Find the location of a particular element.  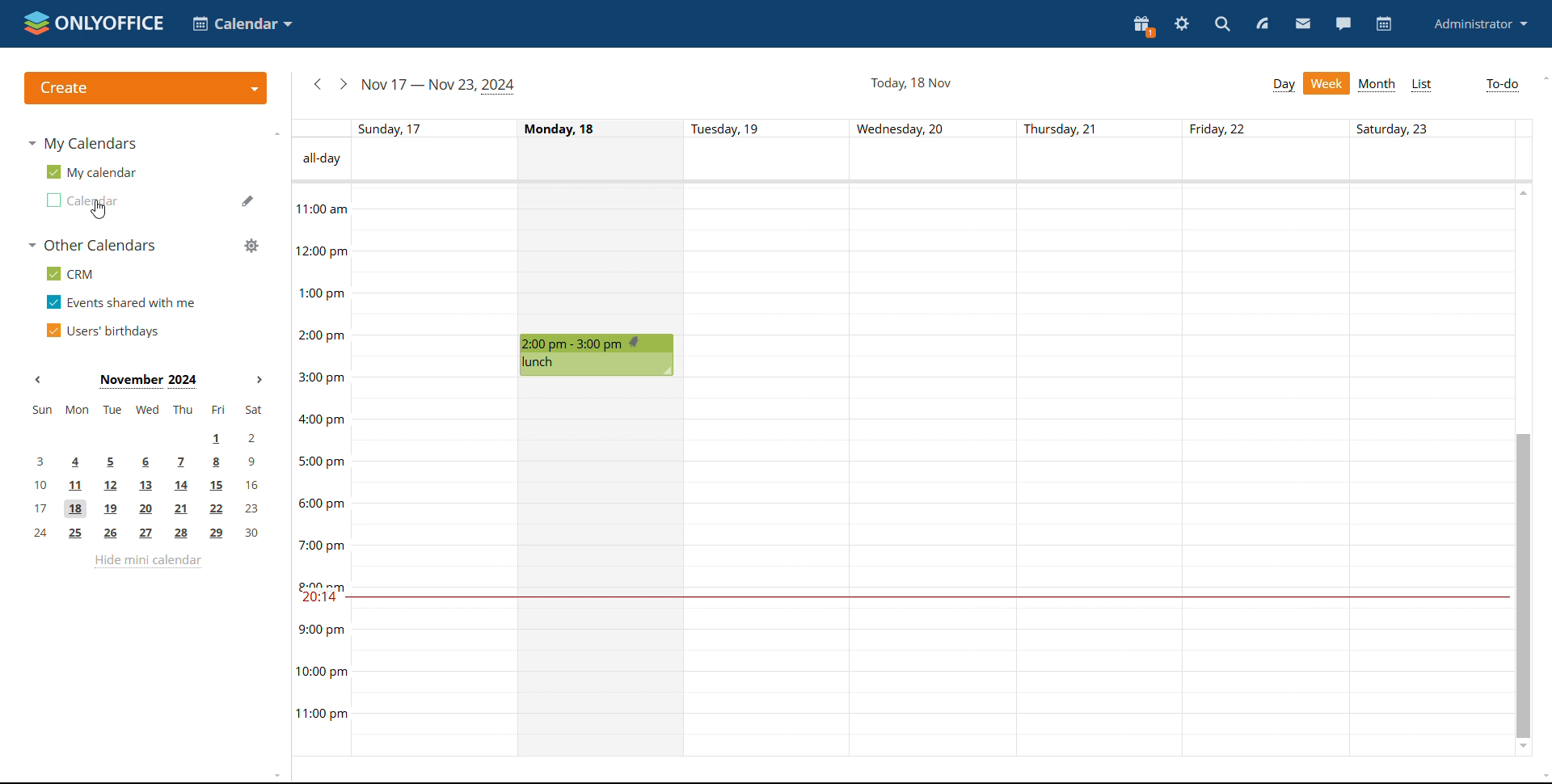

edit is located at coordinates (248, 200).